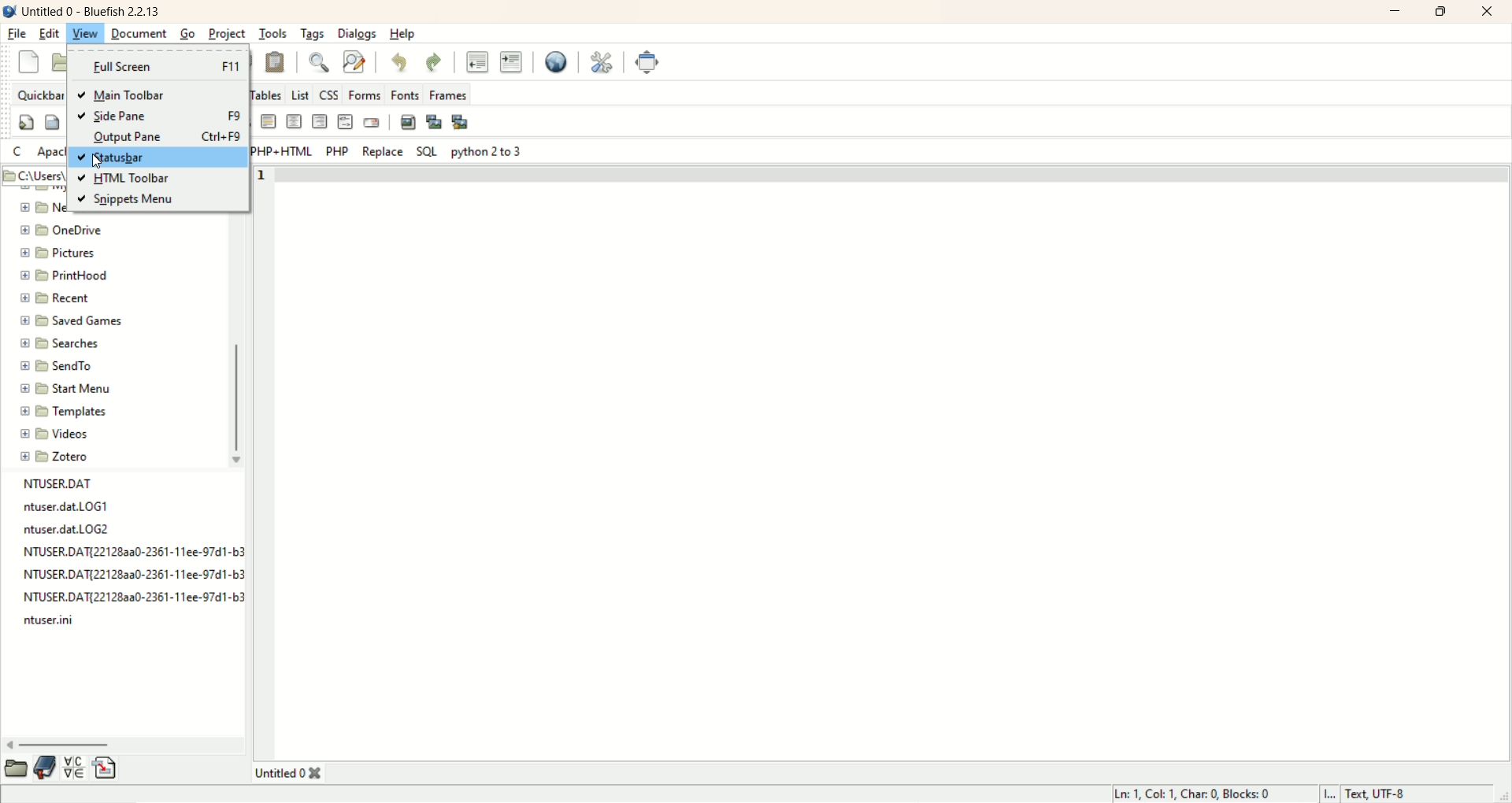  I want to click on vertical scroll bar, so click(235, 327).